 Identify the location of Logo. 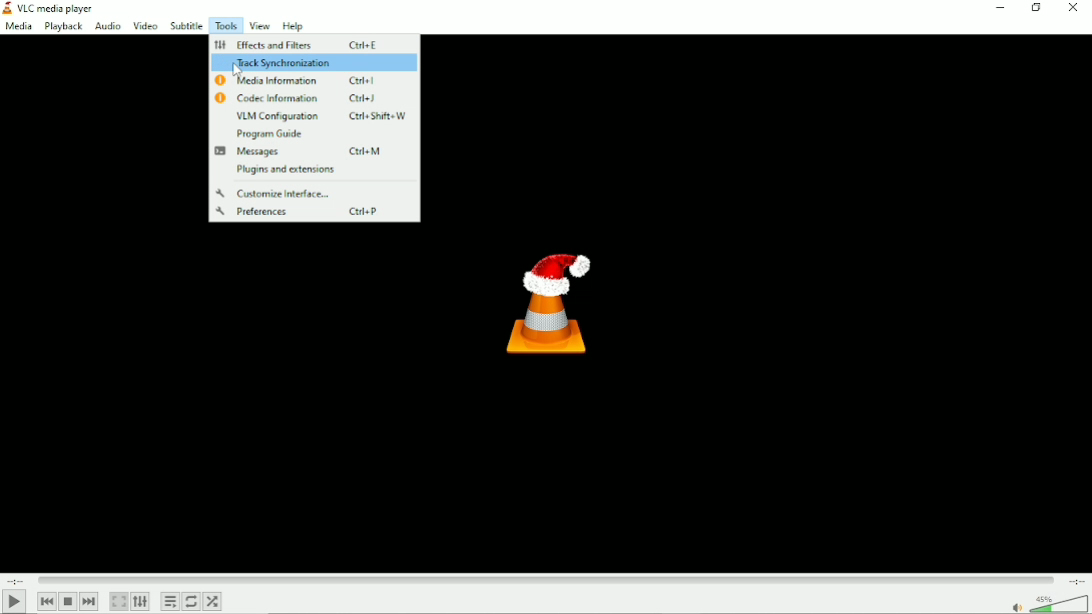
(547, 298).